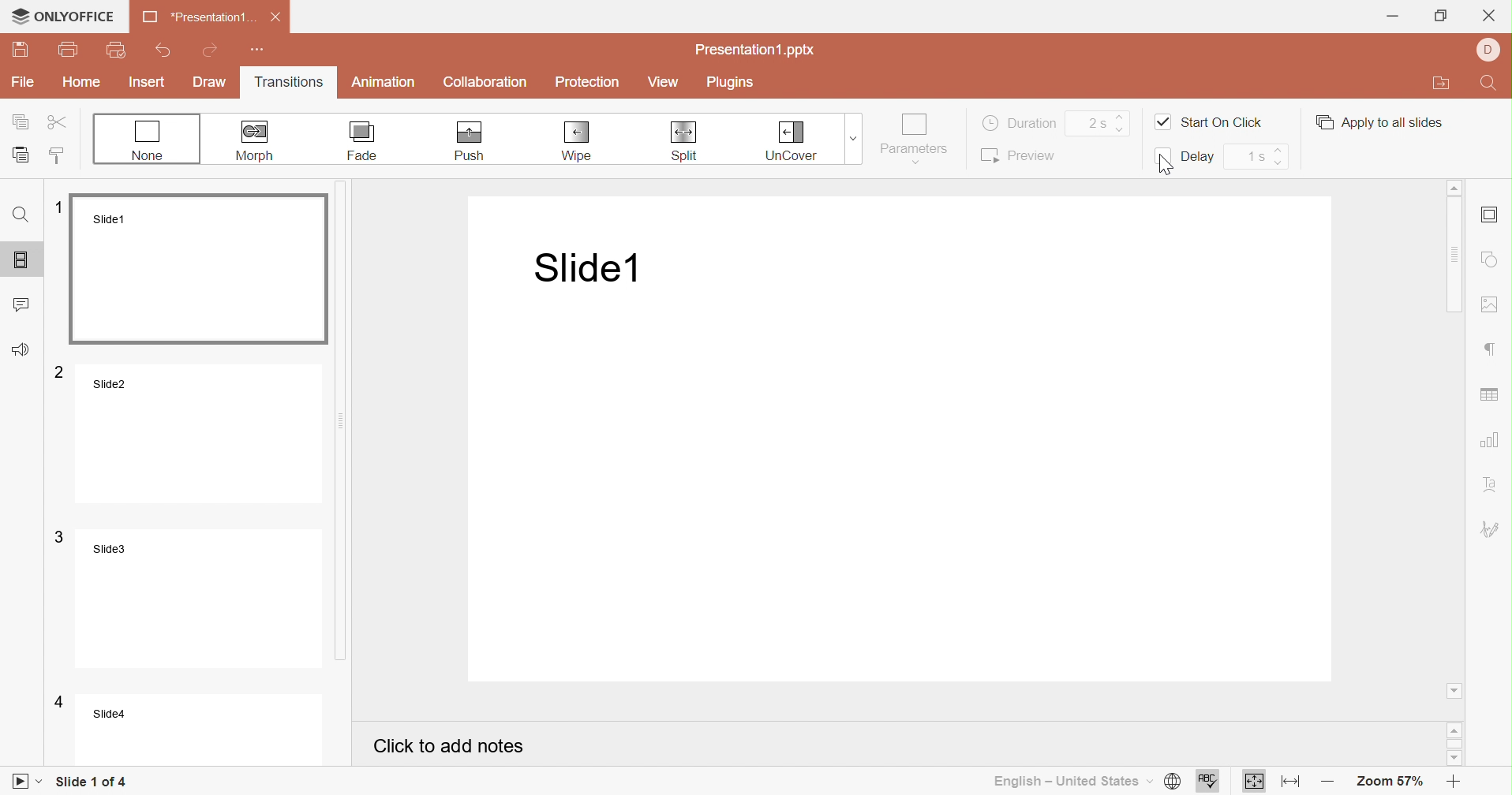 Image resolution: width=1512 pixels, height=795 pixels. What do you see at coordinates (466, 140) in the screenshot?
I see `Push` at bounding box center [466, 140].